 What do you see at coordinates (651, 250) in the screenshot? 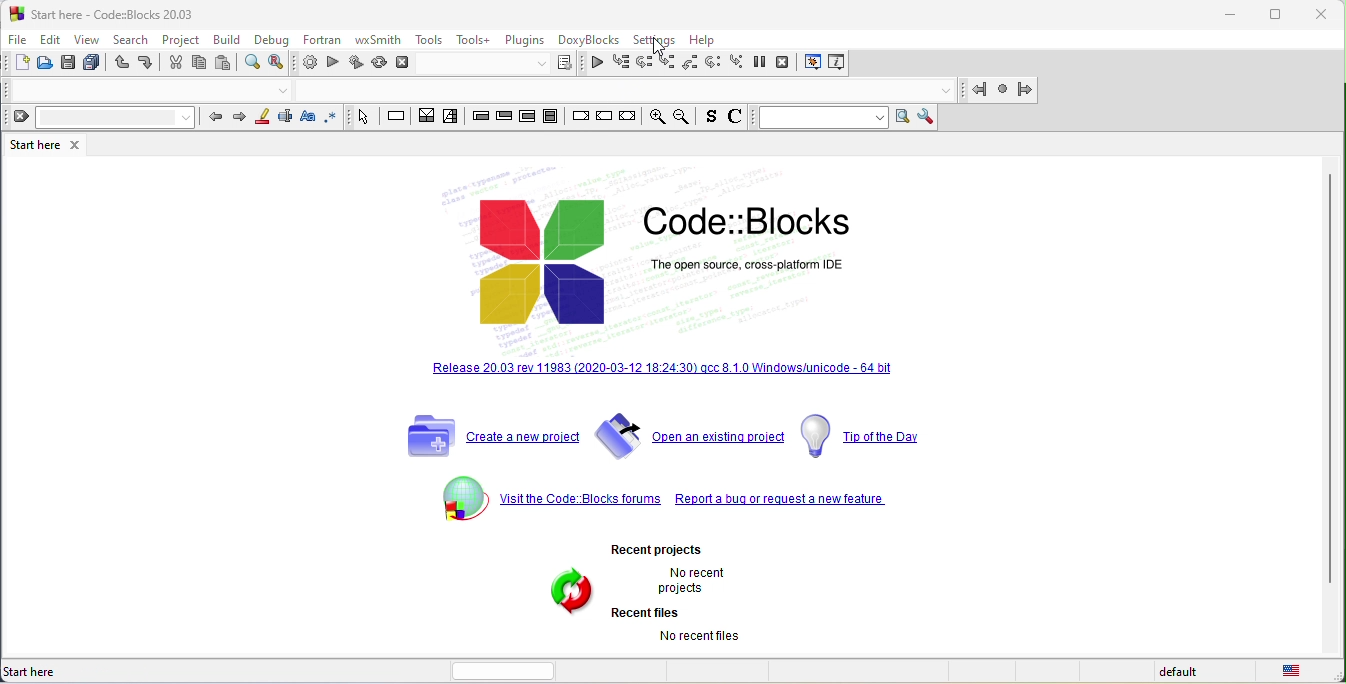
I see `code blocks` at bounding box center [651, 250].